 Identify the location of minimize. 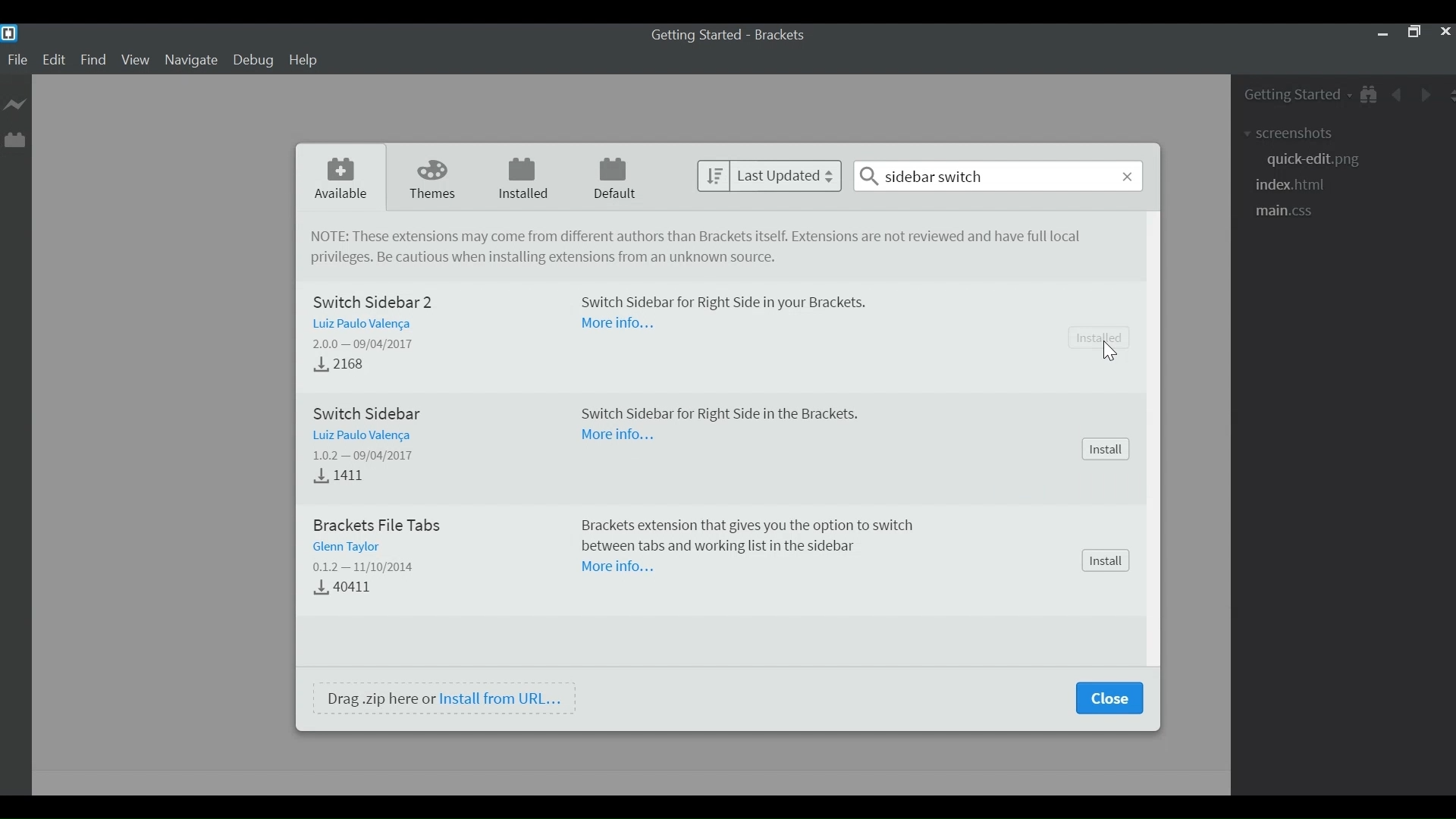
(1382, 33).